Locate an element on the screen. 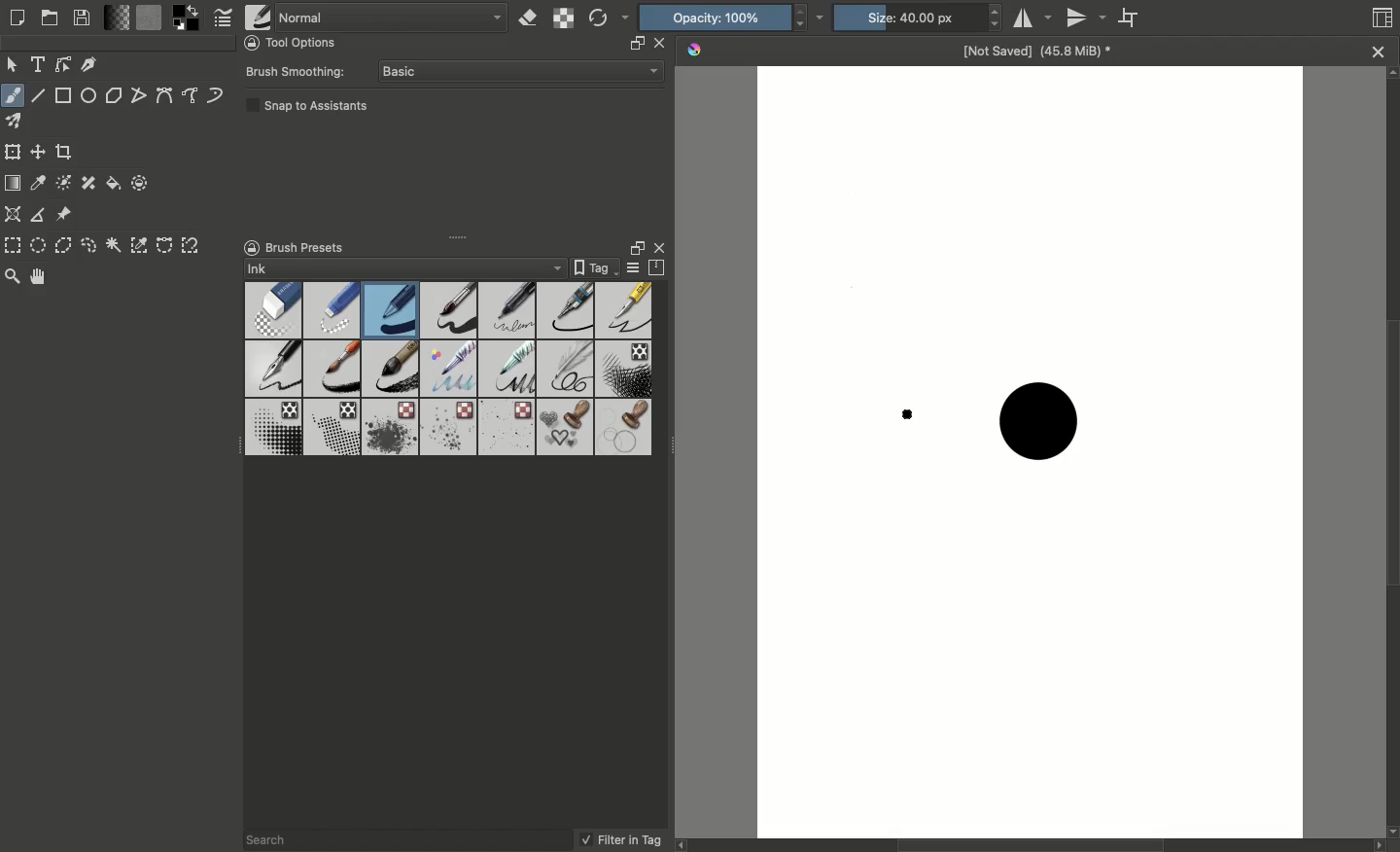 The height and width of the screenshot is (852, 1400). Reference images is located at coordinates (65, 215).